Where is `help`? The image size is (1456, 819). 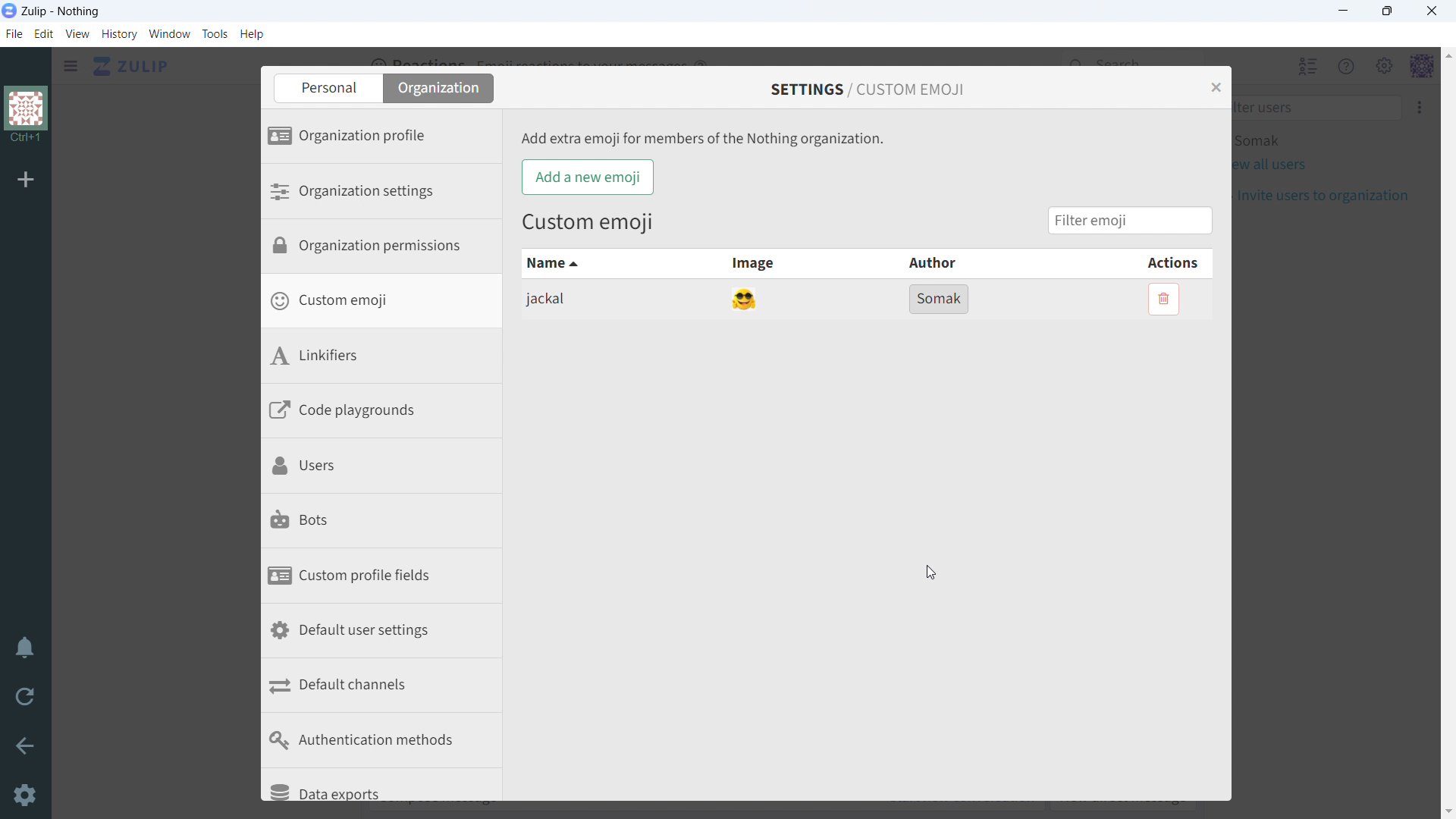 help is located at coordinates (252, 34).